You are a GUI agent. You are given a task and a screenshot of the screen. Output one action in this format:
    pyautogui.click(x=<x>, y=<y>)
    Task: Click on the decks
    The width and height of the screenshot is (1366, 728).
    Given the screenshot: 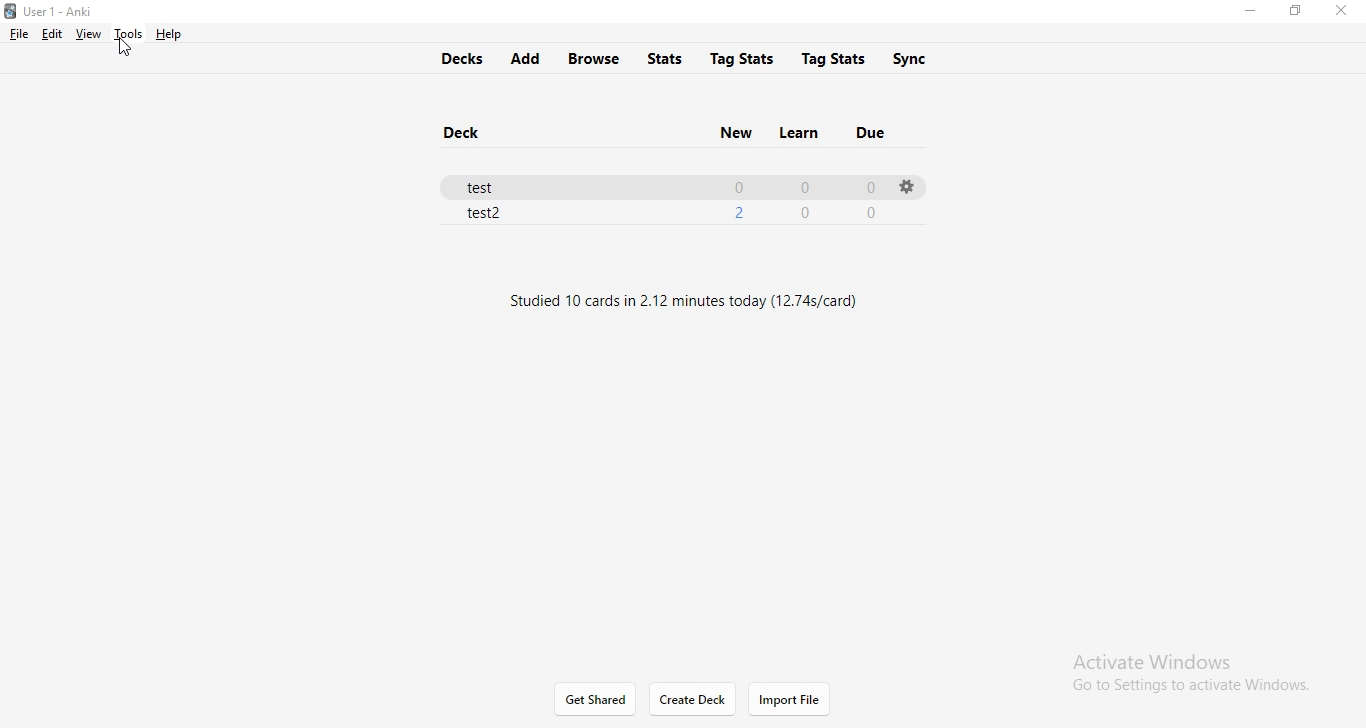 What is the action you would take?
    pyautogui.click(x=465, y=60)
    